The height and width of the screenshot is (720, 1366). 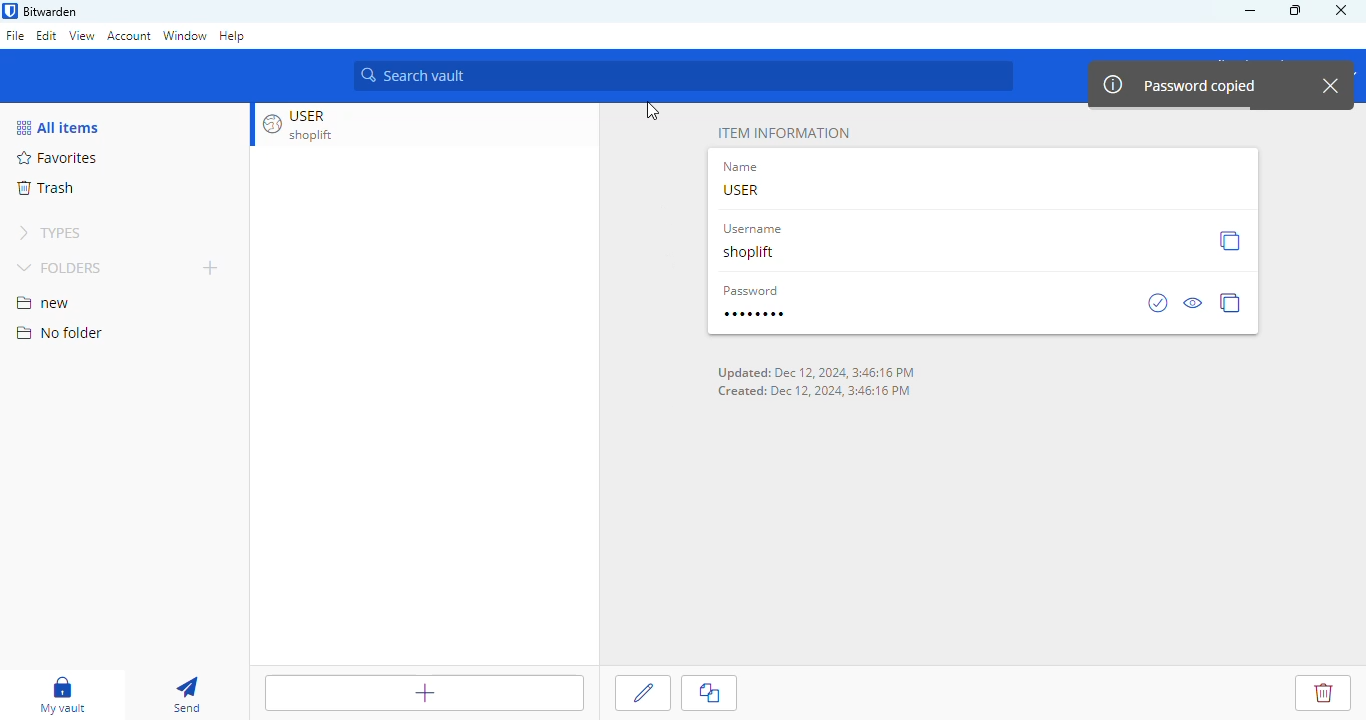 What do you see at coordinates (210, 267) in the screenshot?
I see `add folder` at bounding box center [210, 267].